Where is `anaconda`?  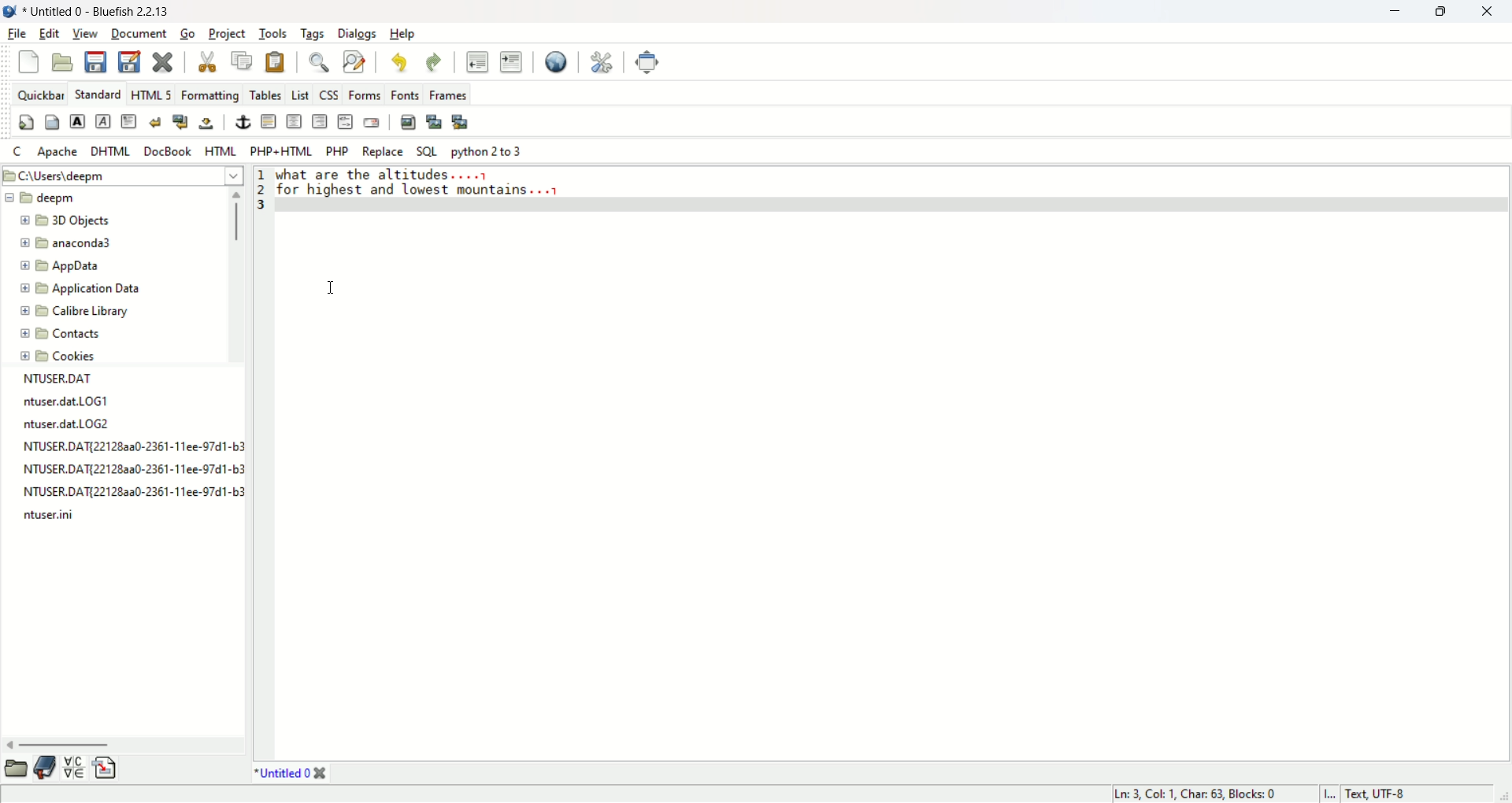 anaconda is located at coordinates (71, 244).